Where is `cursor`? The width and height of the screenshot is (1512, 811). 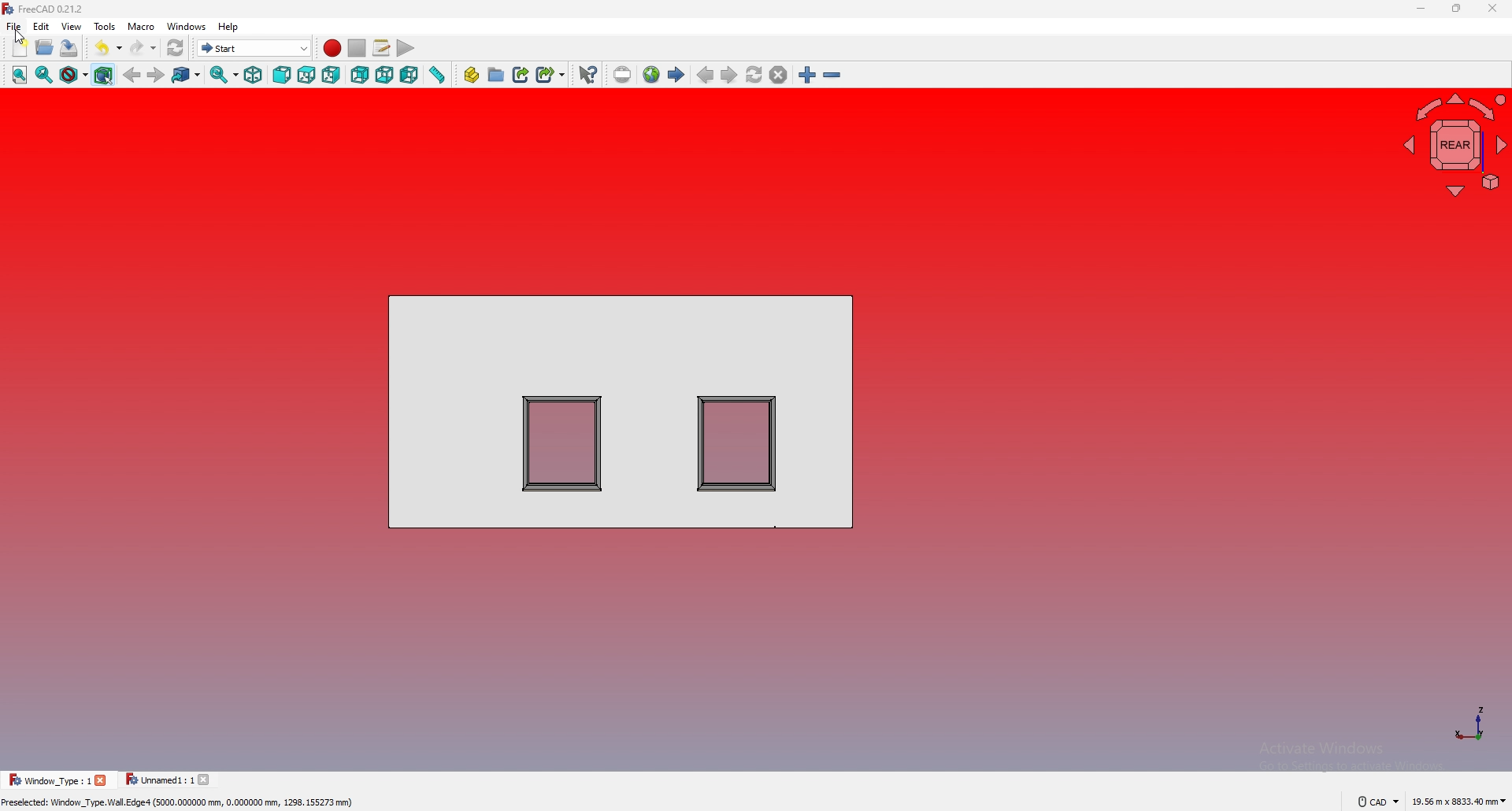
cursor is located at coordinates (20, 36).